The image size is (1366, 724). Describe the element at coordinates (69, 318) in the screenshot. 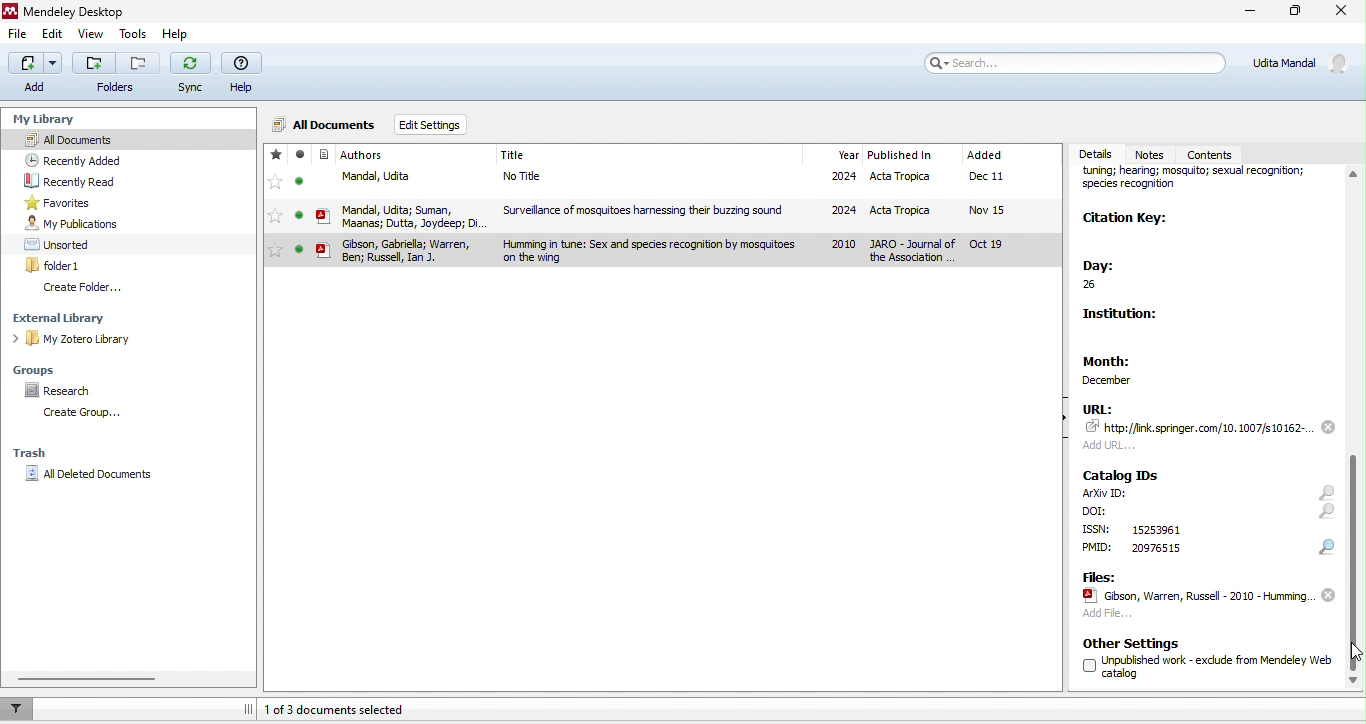

I see `external library` at that location.